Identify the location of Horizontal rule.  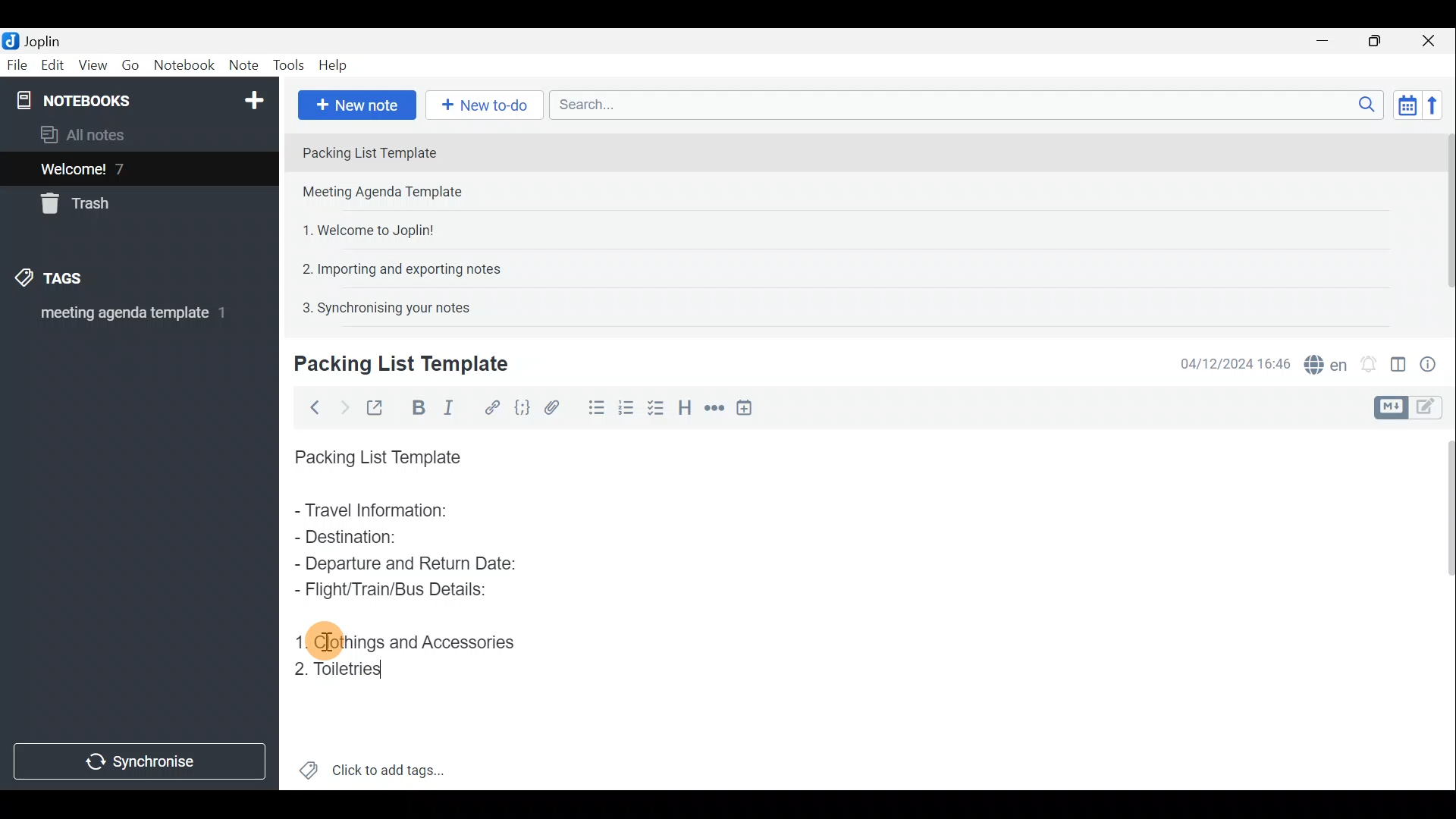
(712, 408).